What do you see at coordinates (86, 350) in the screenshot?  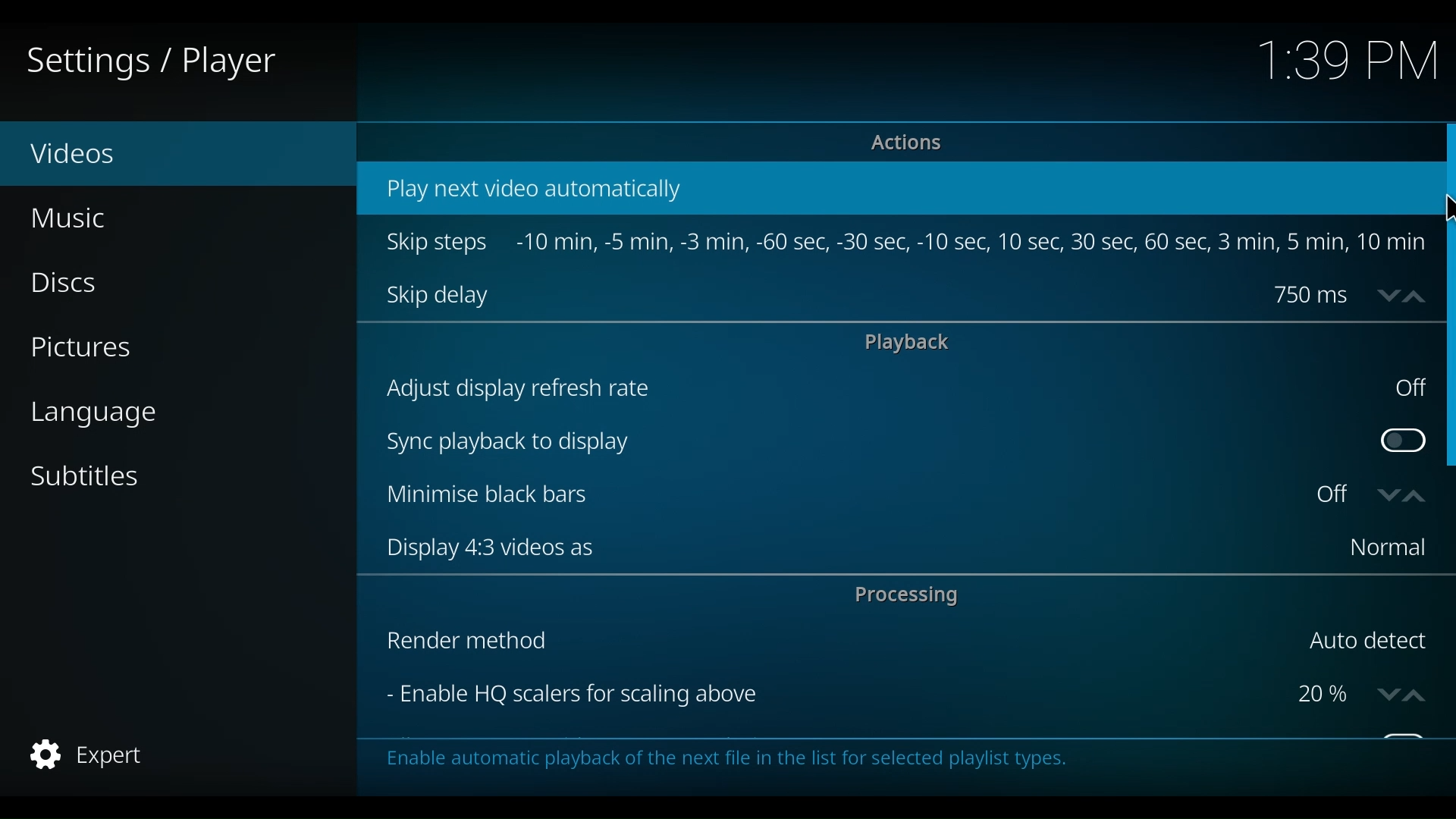 I see `Pictures` at bounding box center [86, 350].